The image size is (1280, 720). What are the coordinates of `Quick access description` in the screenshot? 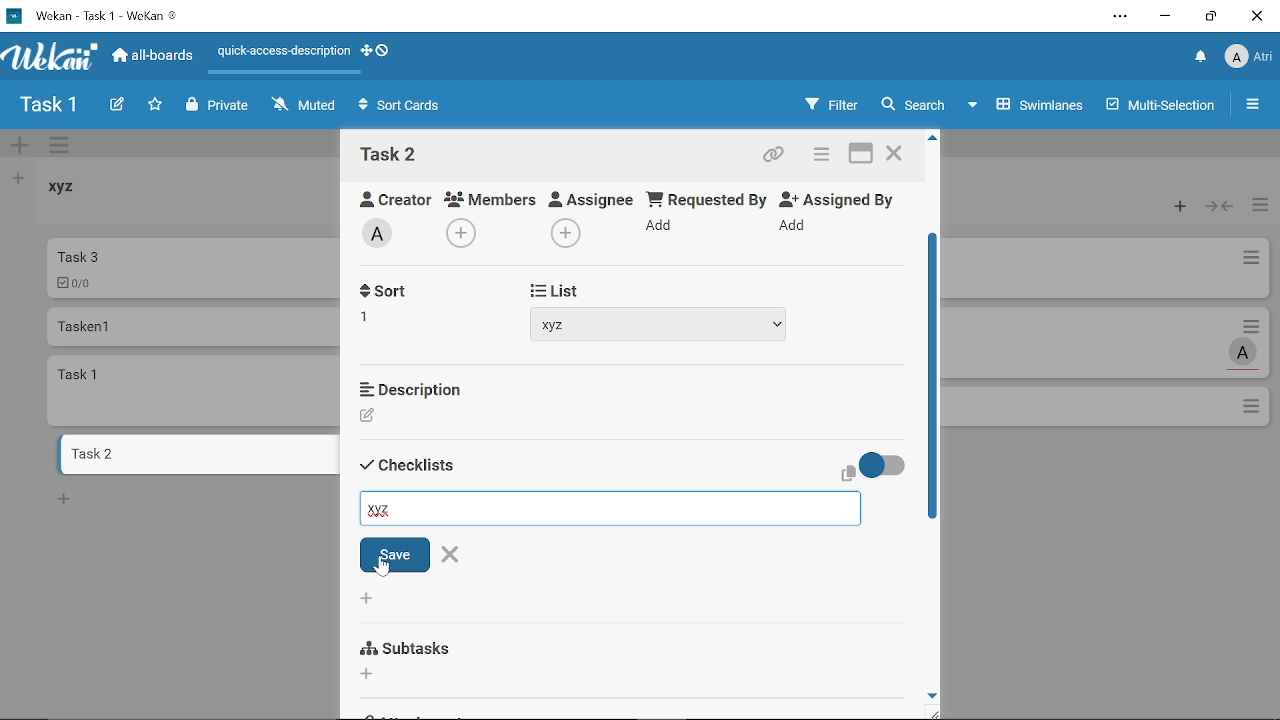 It's located at (280, 55).